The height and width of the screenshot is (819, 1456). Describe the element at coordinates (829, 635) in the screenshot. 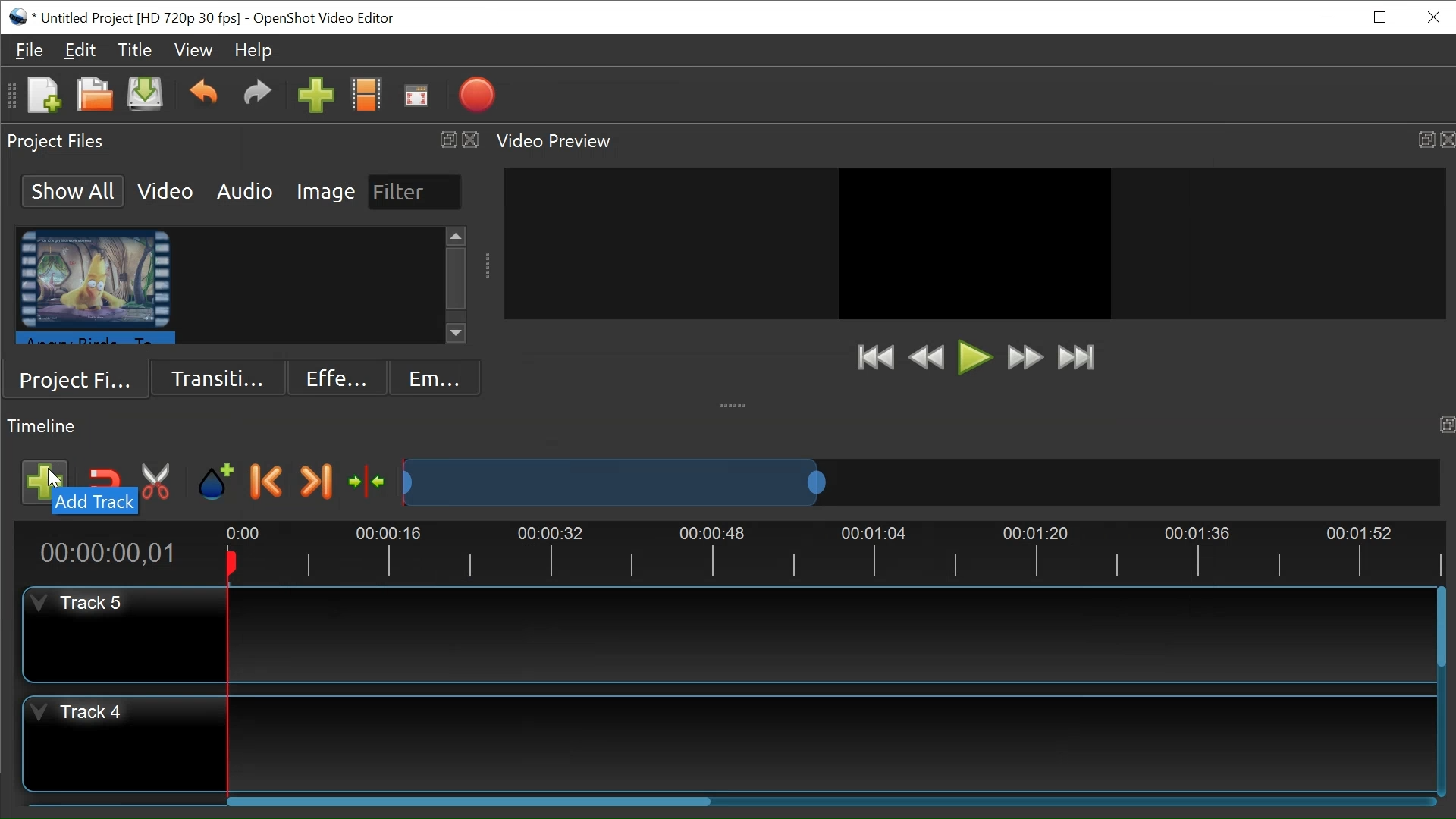

I see `Track Panel` at that location.